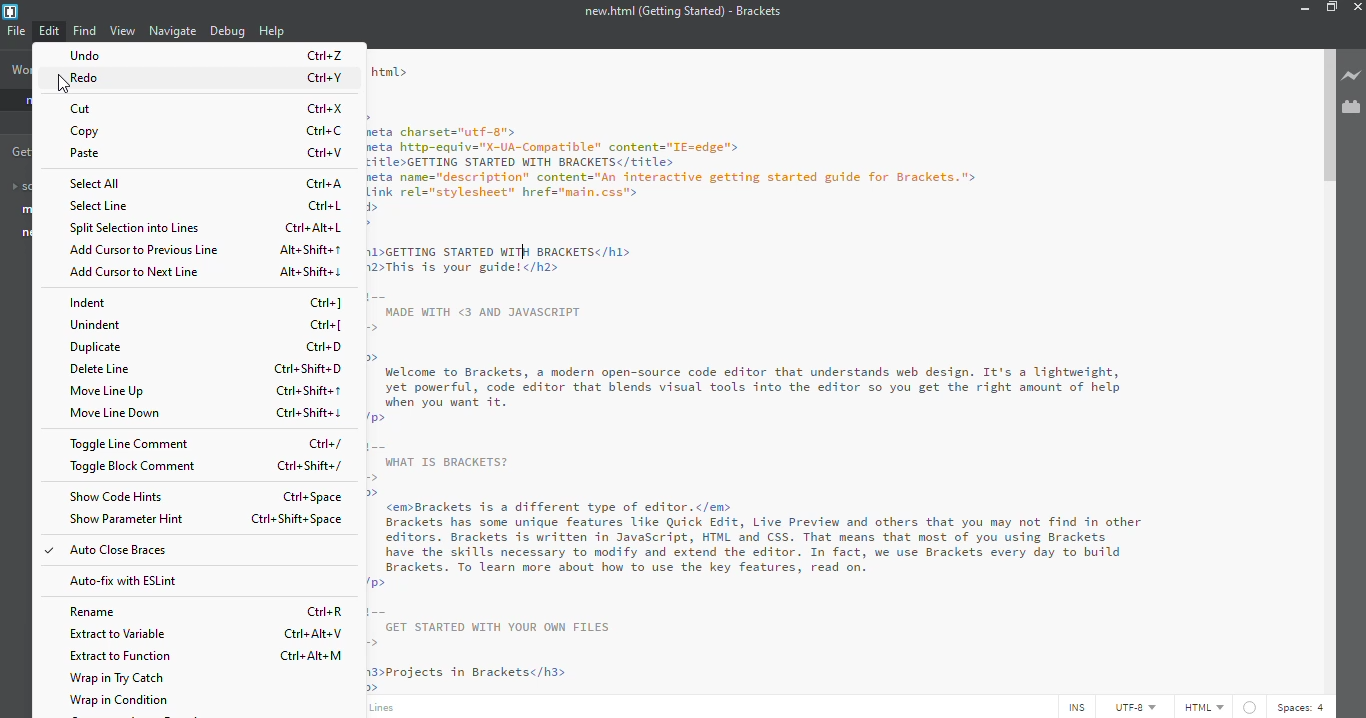 The height and width of the screenshot is (718, 1366). I want to click on indent, so click(90, 304).